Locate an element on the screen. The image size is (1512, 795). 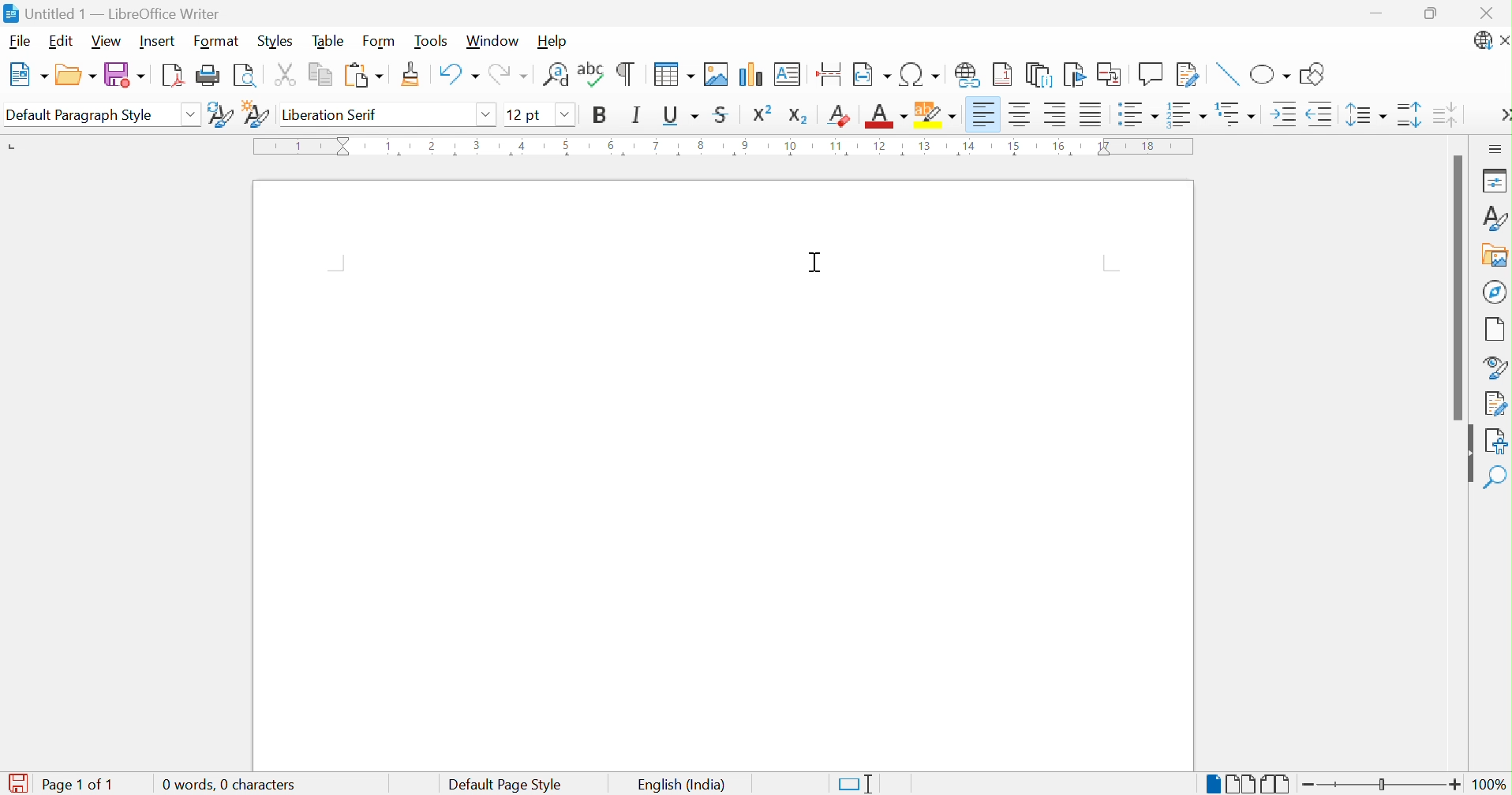
New is located at coordinates (32, 74).